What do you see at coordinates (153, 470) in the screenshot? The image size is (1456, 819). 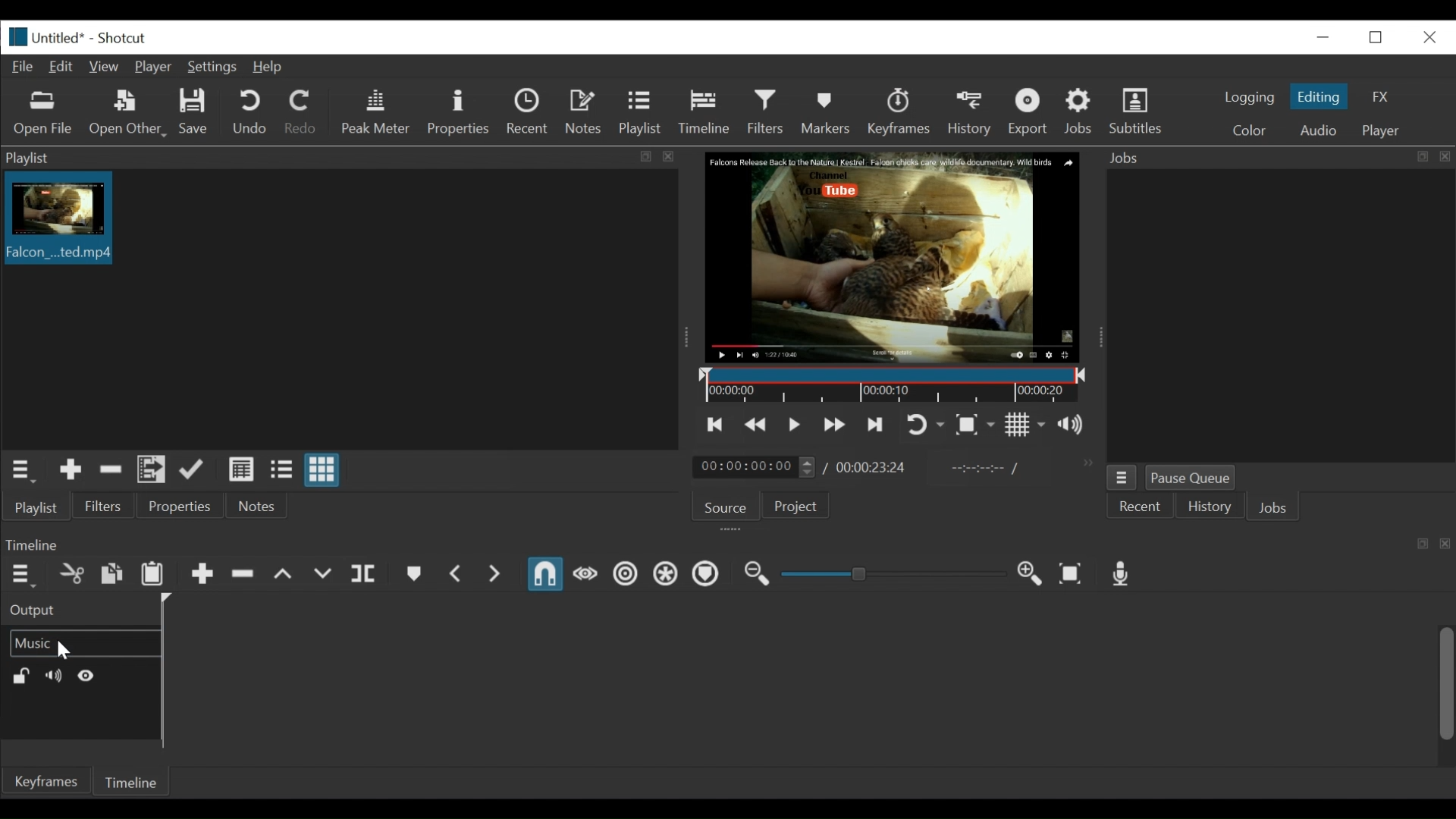 I see `Add files to the playlist` at bounding box center [153, 470].